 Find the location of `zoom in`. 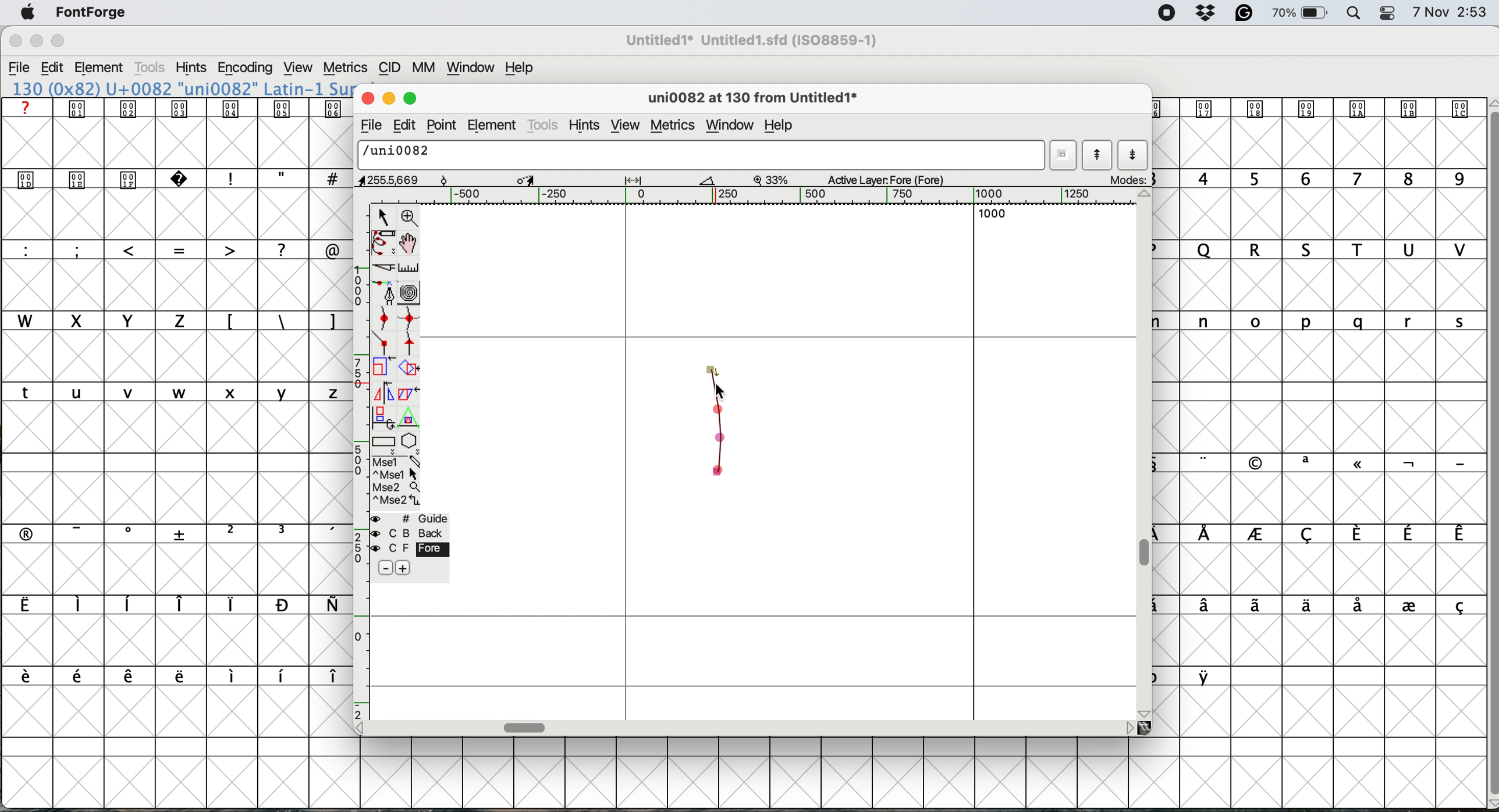

zoom in is located at coordinates (411, 217).